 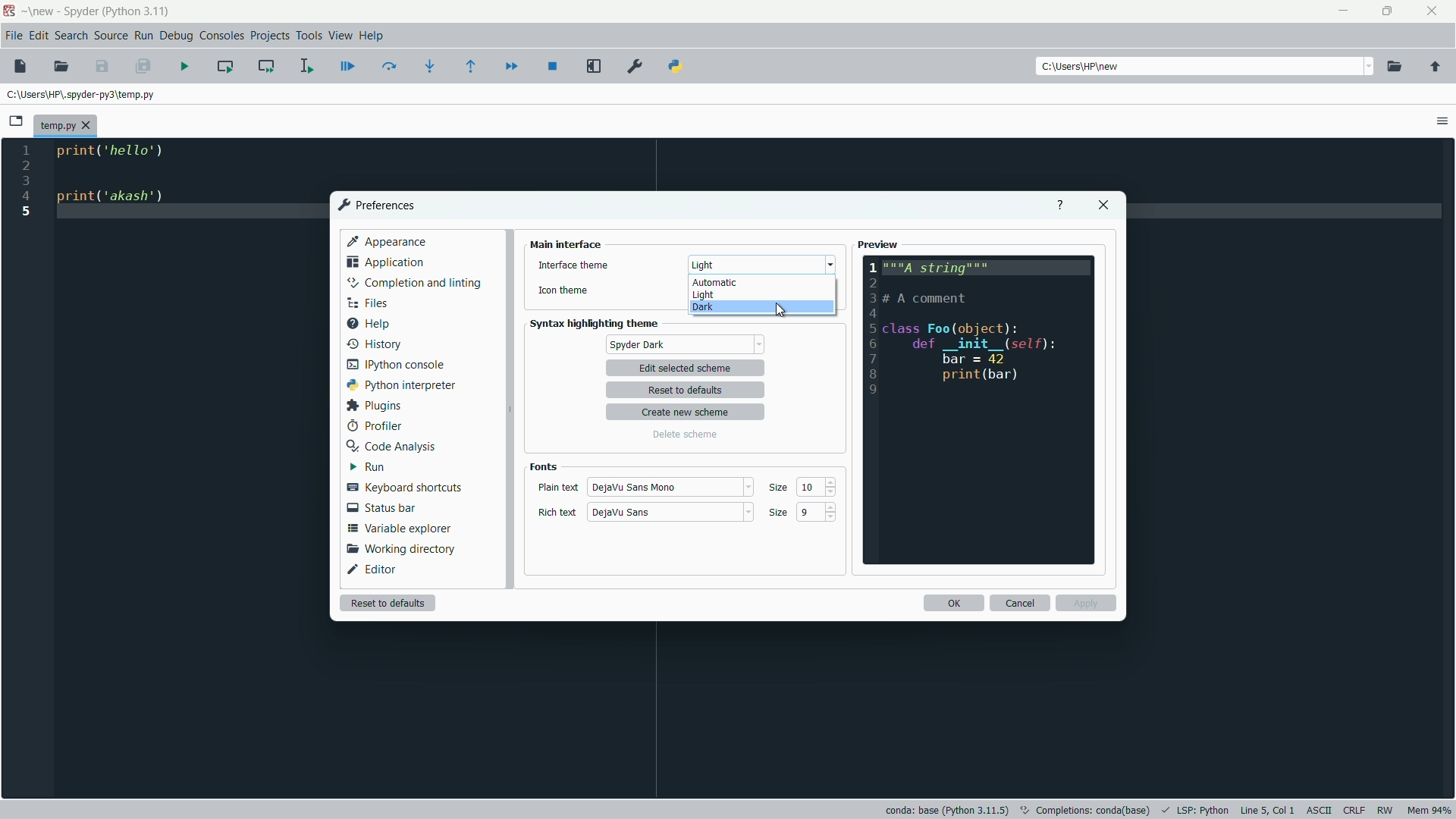 What do you see at coordinates (137, 11) in the screenshot?
I see `python 3.11` at bounding box center [137, 11].